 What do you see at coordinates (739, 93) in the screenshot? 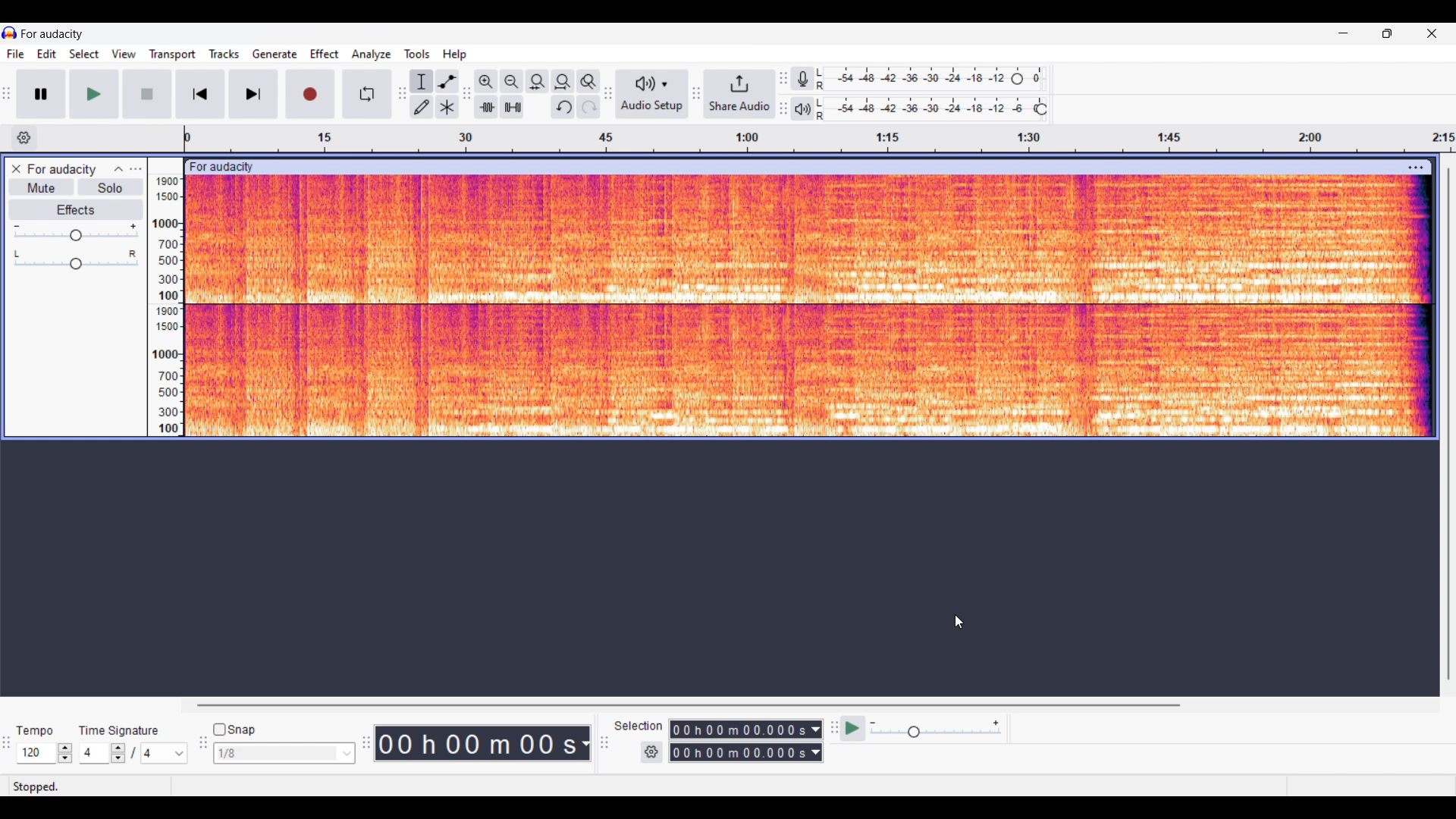
I see `Share audio` at bounding box center [739, 93].